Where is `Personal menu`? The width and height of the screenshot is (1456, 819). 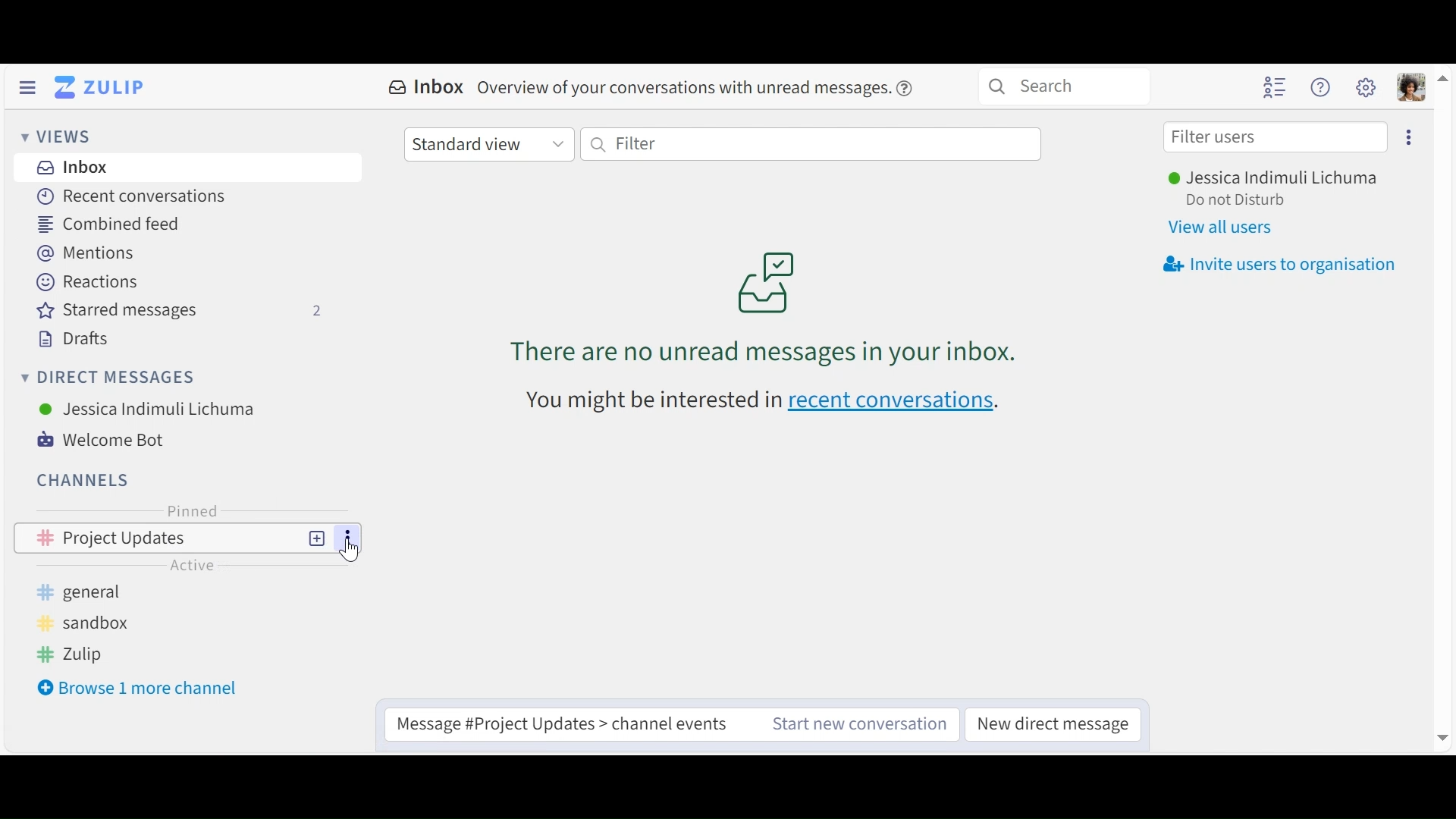 Personal menu is located at coordinates (1412, 87).